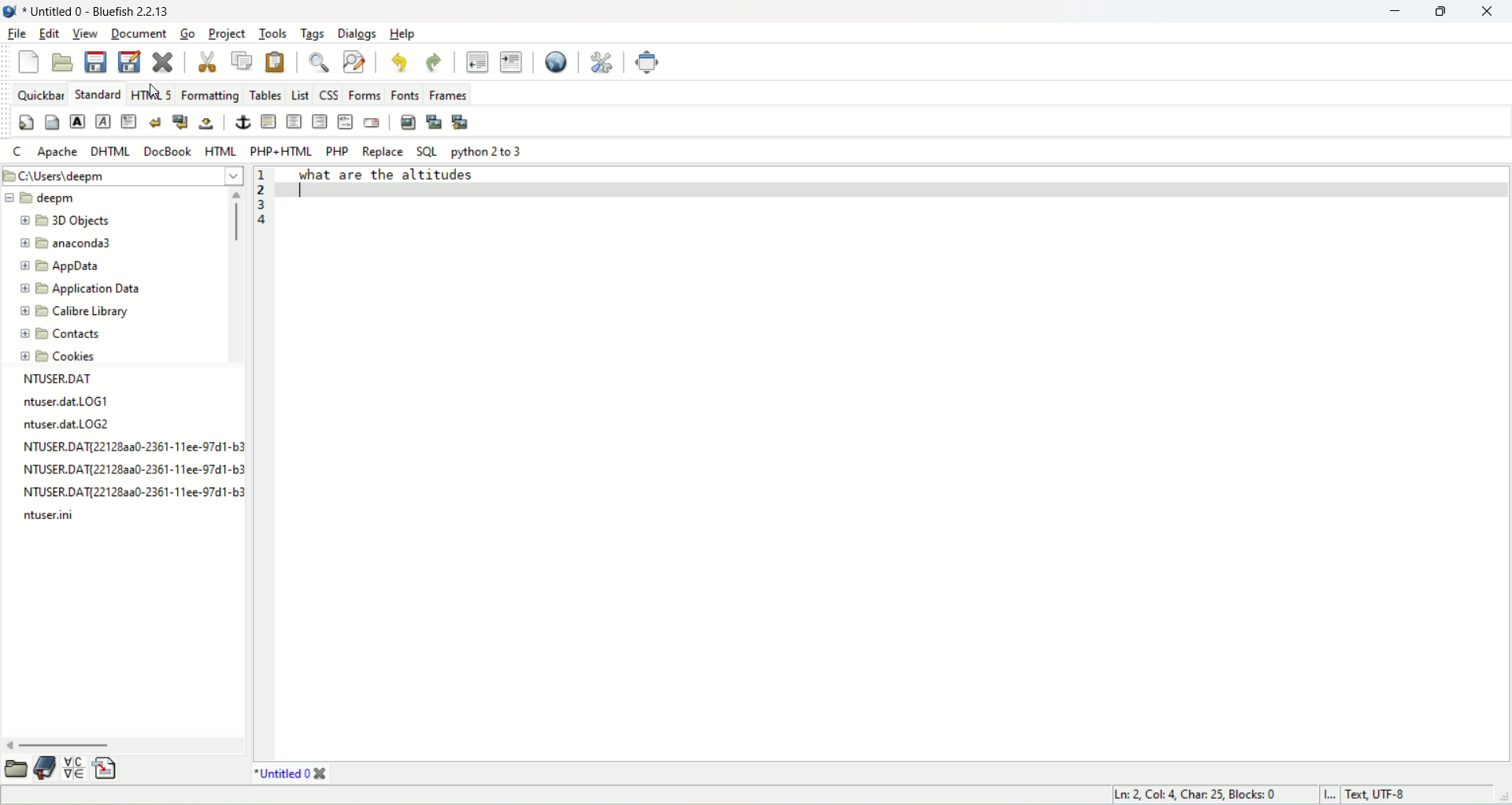 The image size is (1512, 805). What do you see at coordinates (314, 34) in the screenshot?
I see `tags` at bounding box center [314, 34].